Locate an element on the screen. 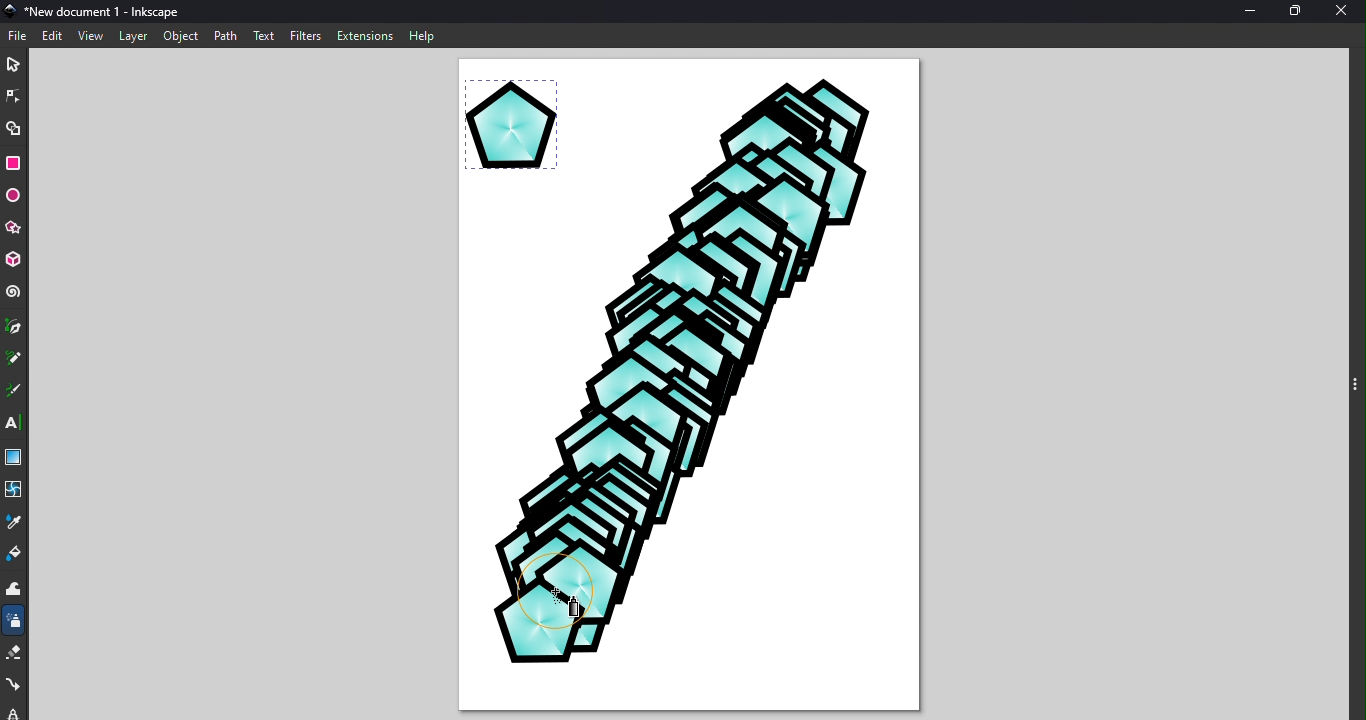 This screenshot has height=720, width=1366. Filters is located at coordinates (306, 35).